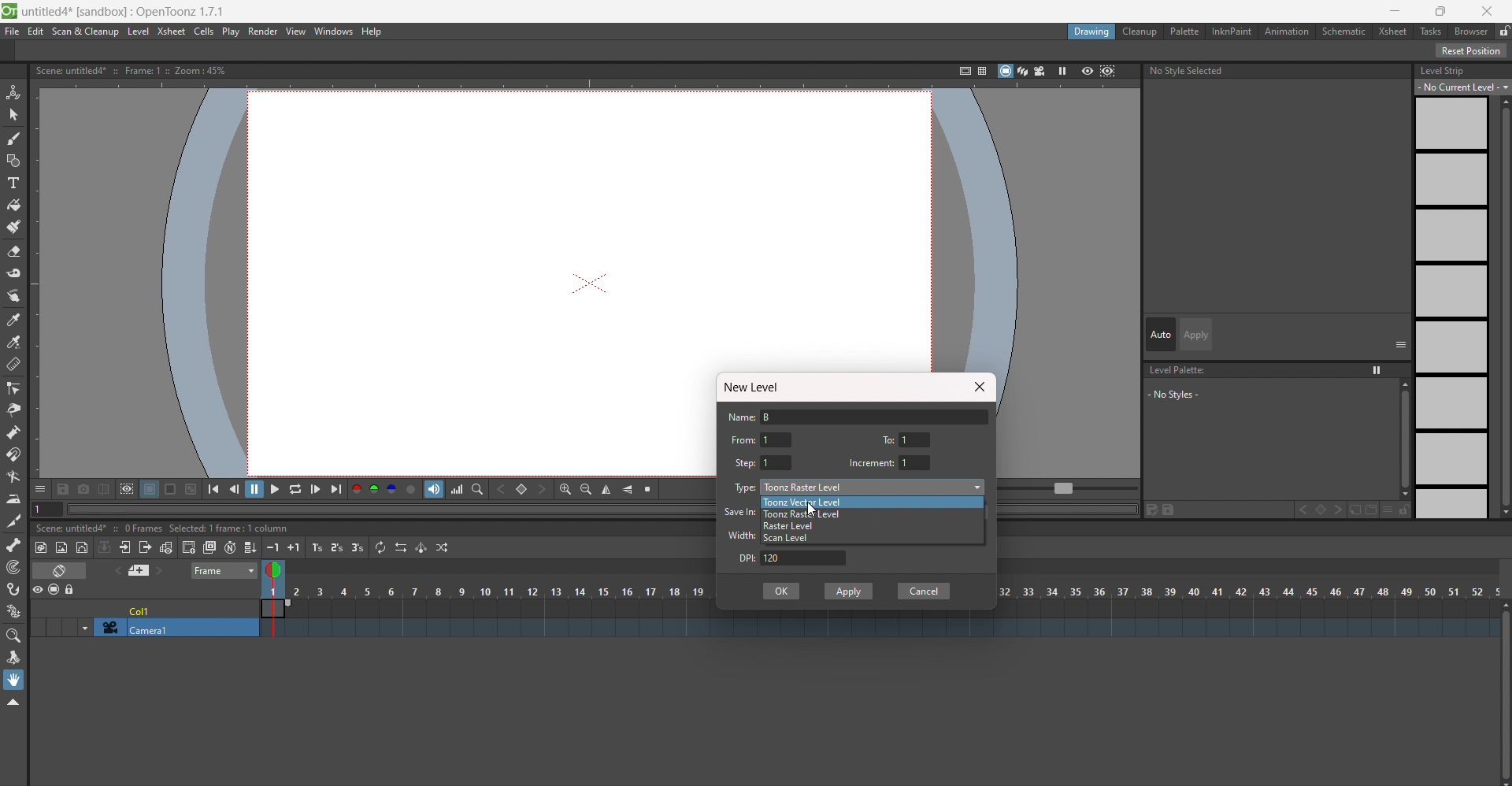 This screenshot has height=786, width=1512. Describe the element at coordinates (565, 489) in the screenshot. I see `zoom in` at that location.